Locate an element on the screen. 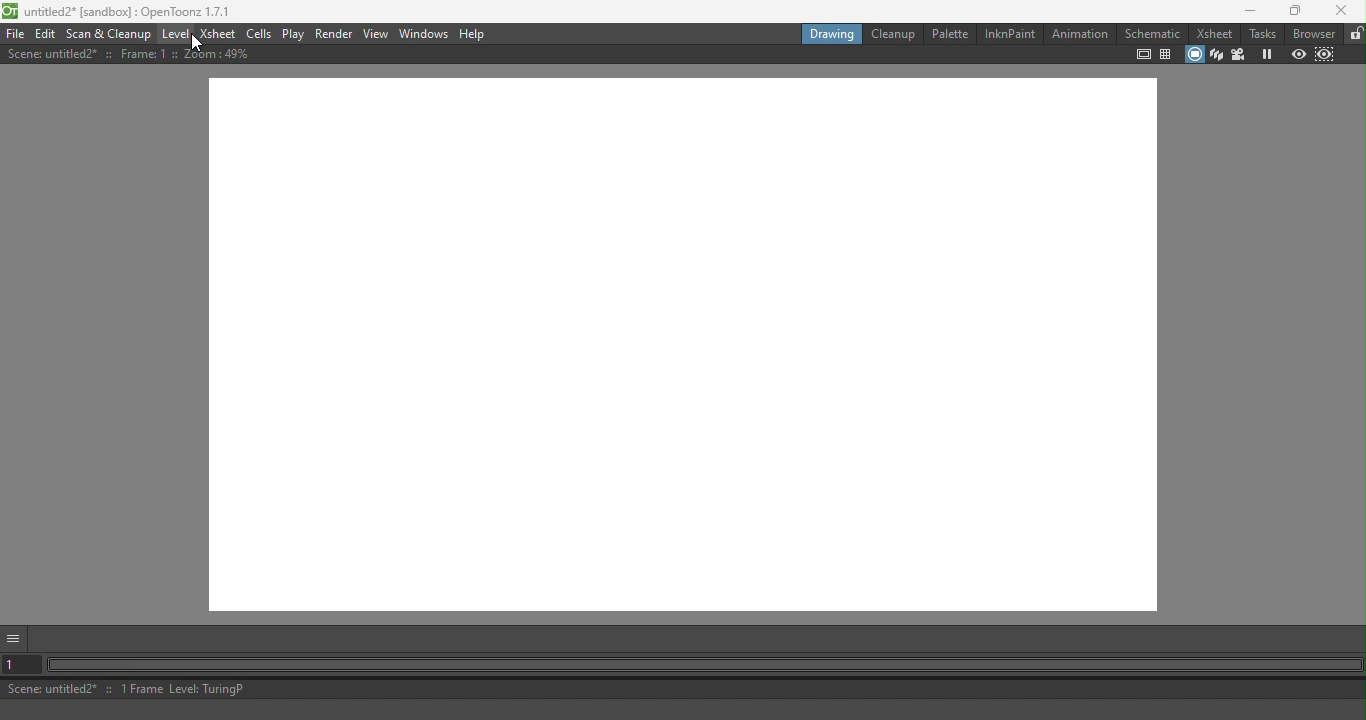 Image resolution: width=1366 pixels, height=720 pixels. Schematic is located at coordinates (1153, 34).